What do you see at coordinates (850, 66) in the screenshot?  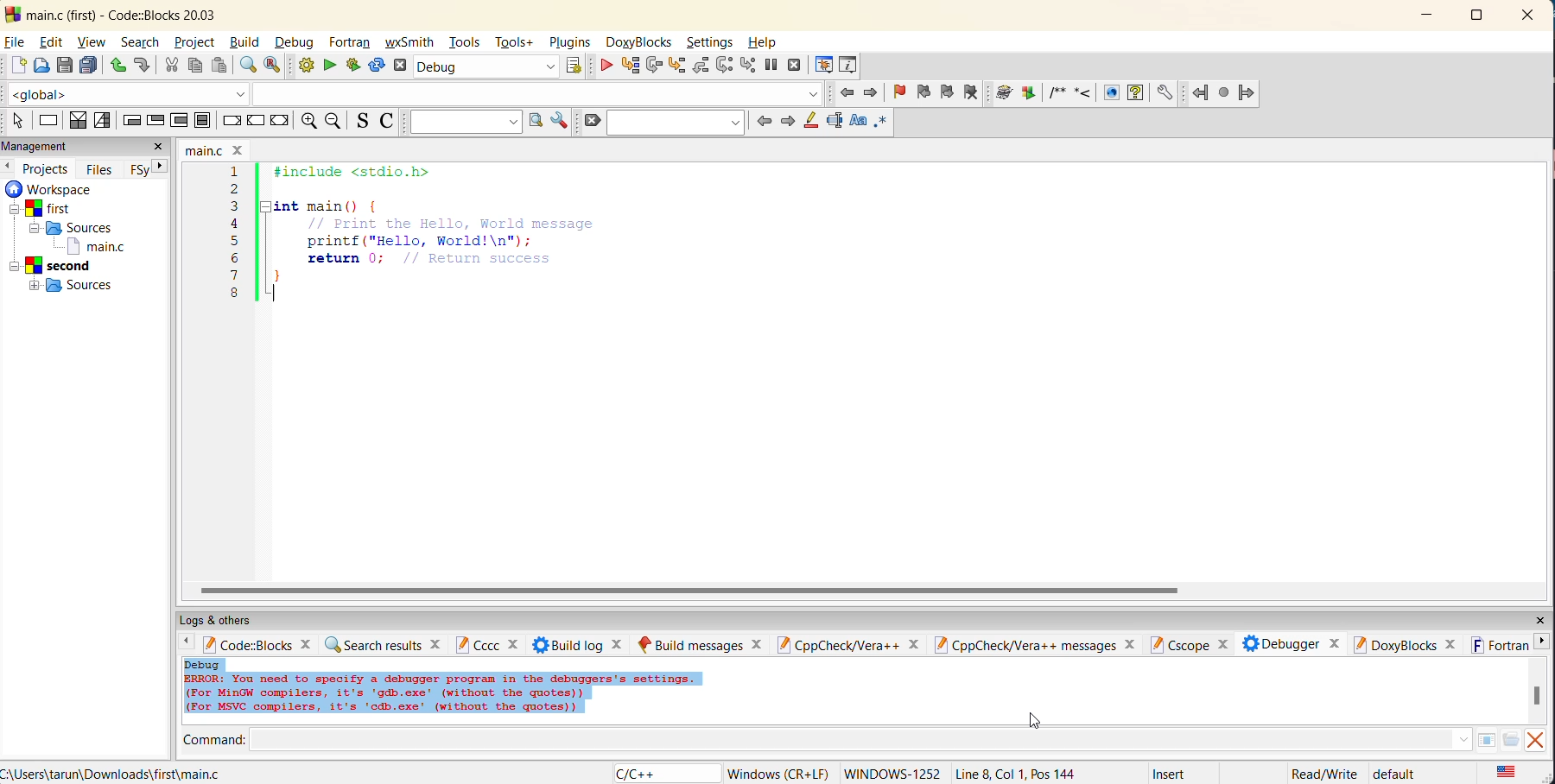 I see `various info` at bounding box center [850, 66].